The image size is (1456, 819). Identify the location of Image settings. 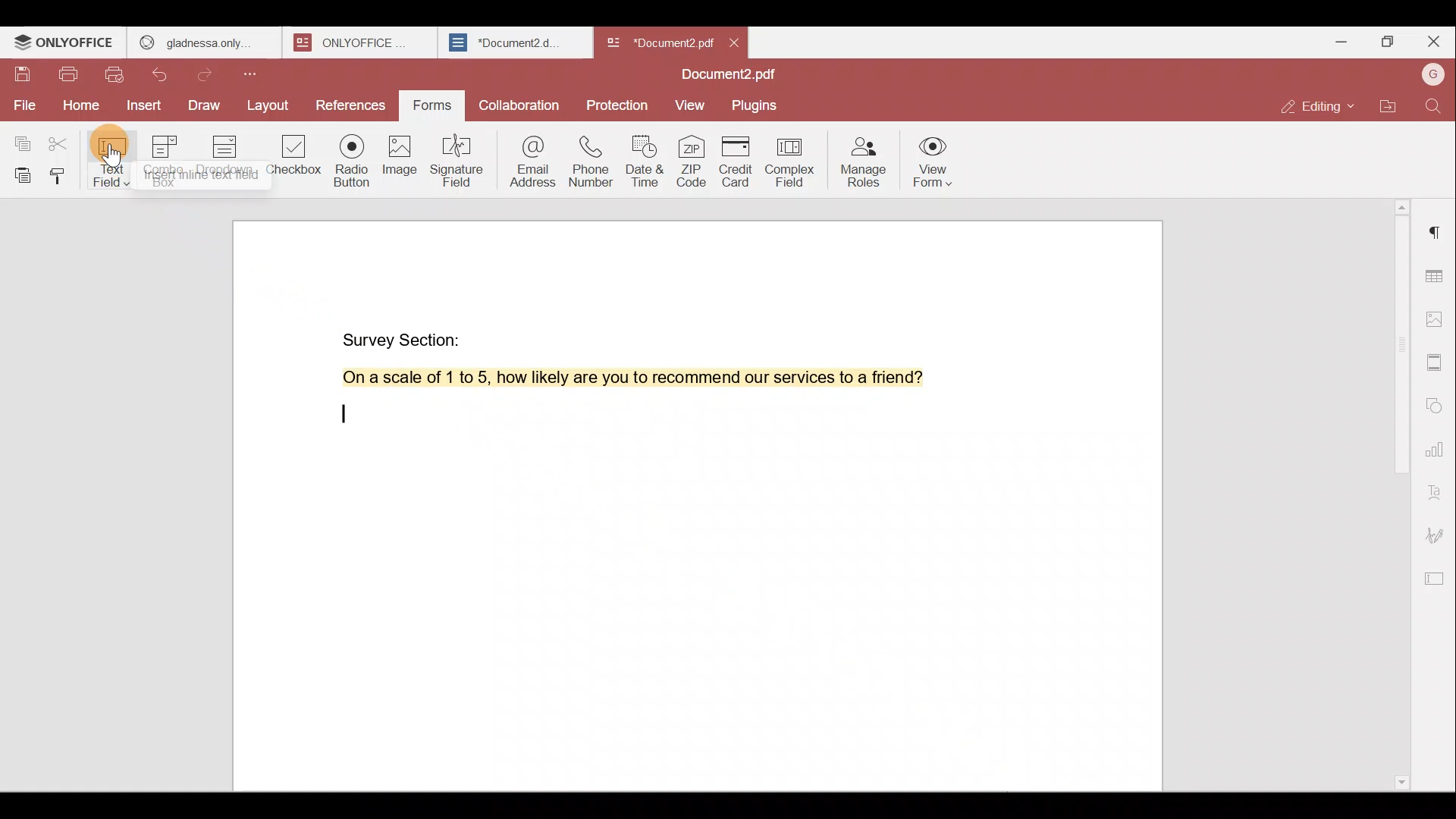
(1439, 322).